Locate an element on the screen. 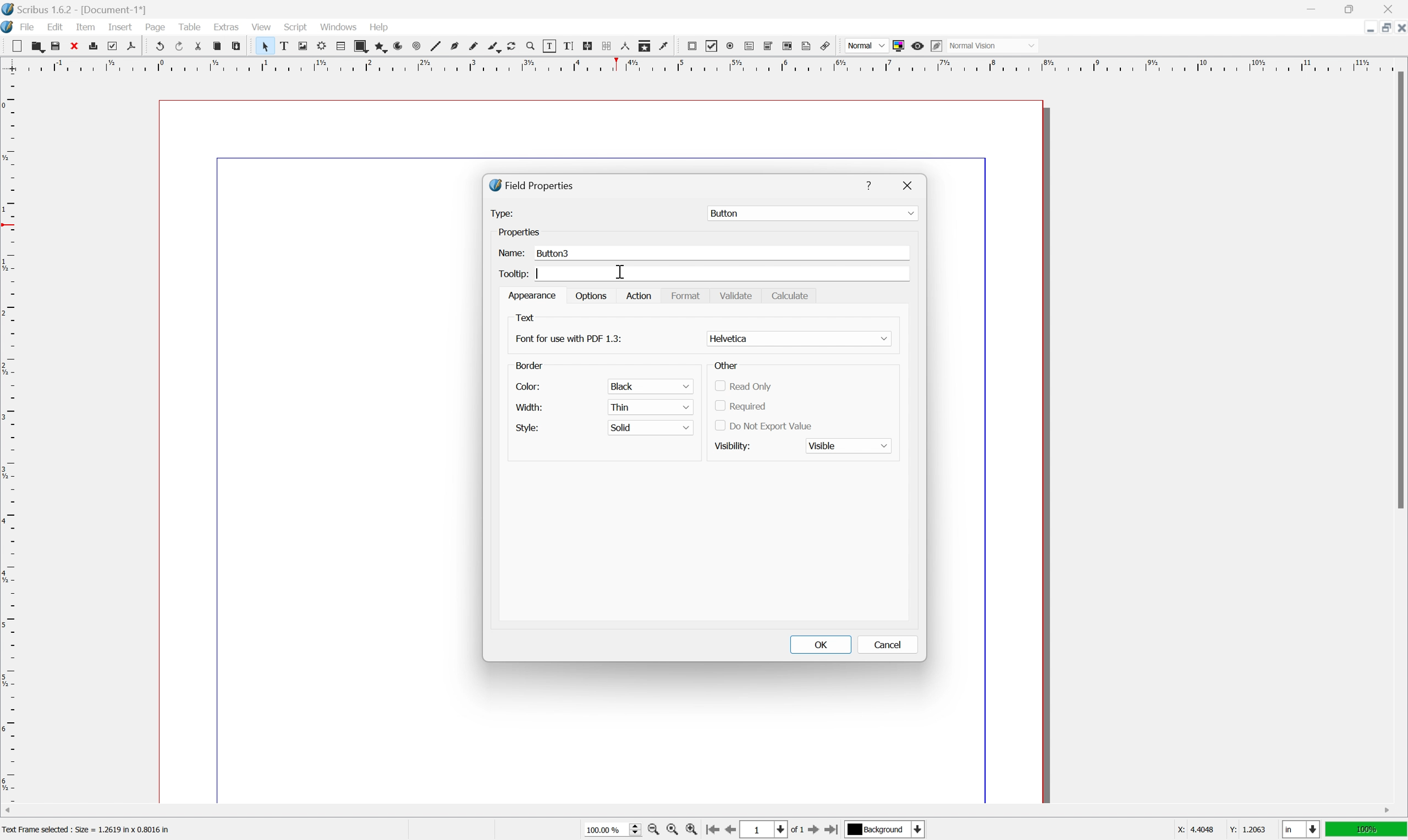 The height and width of the screenshot is (840, 1408). file is located at coordinates (31, 27).